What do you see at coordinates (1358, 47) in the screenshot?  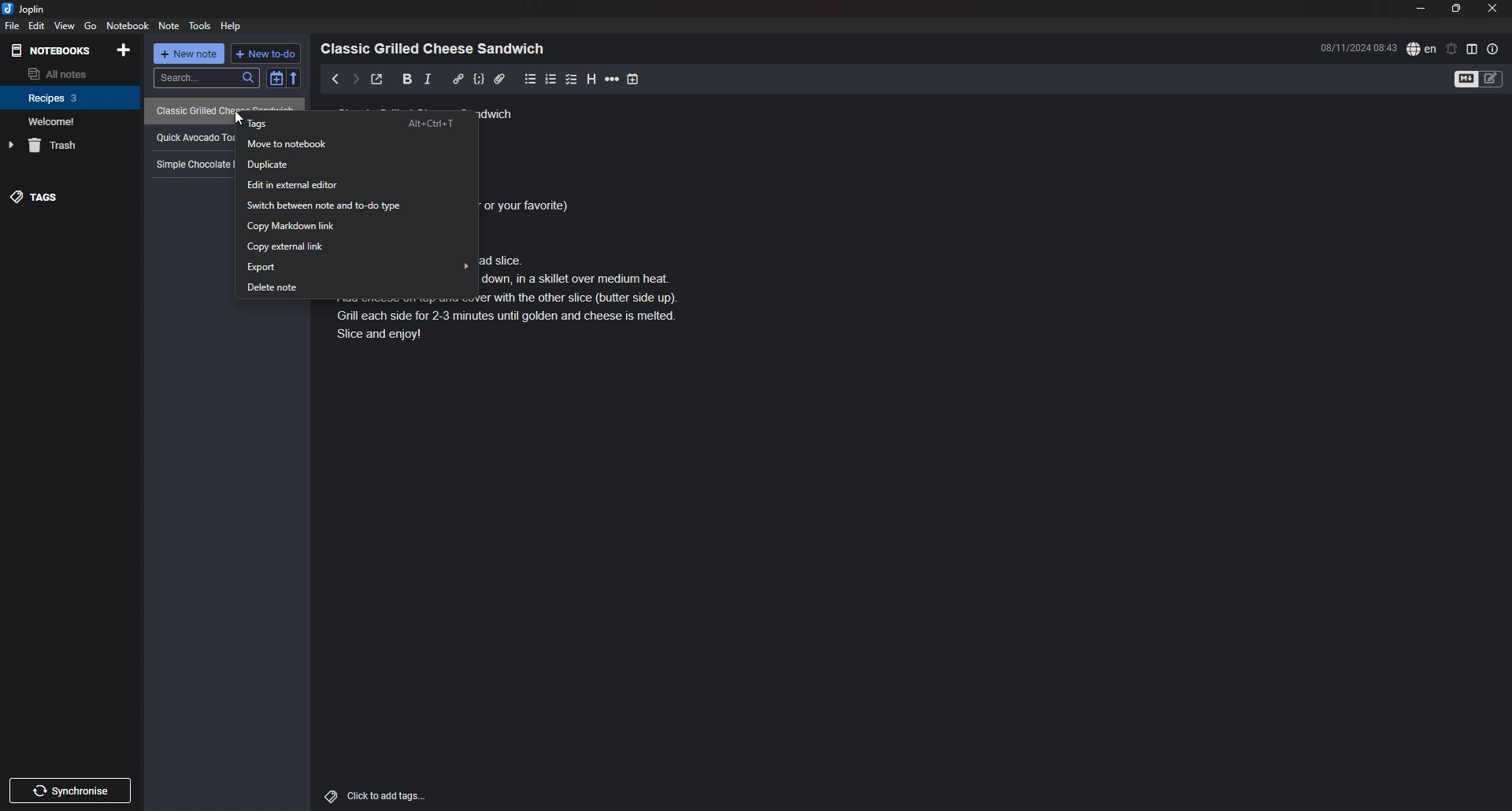 I see `time` at bounding box center [1358, 47].